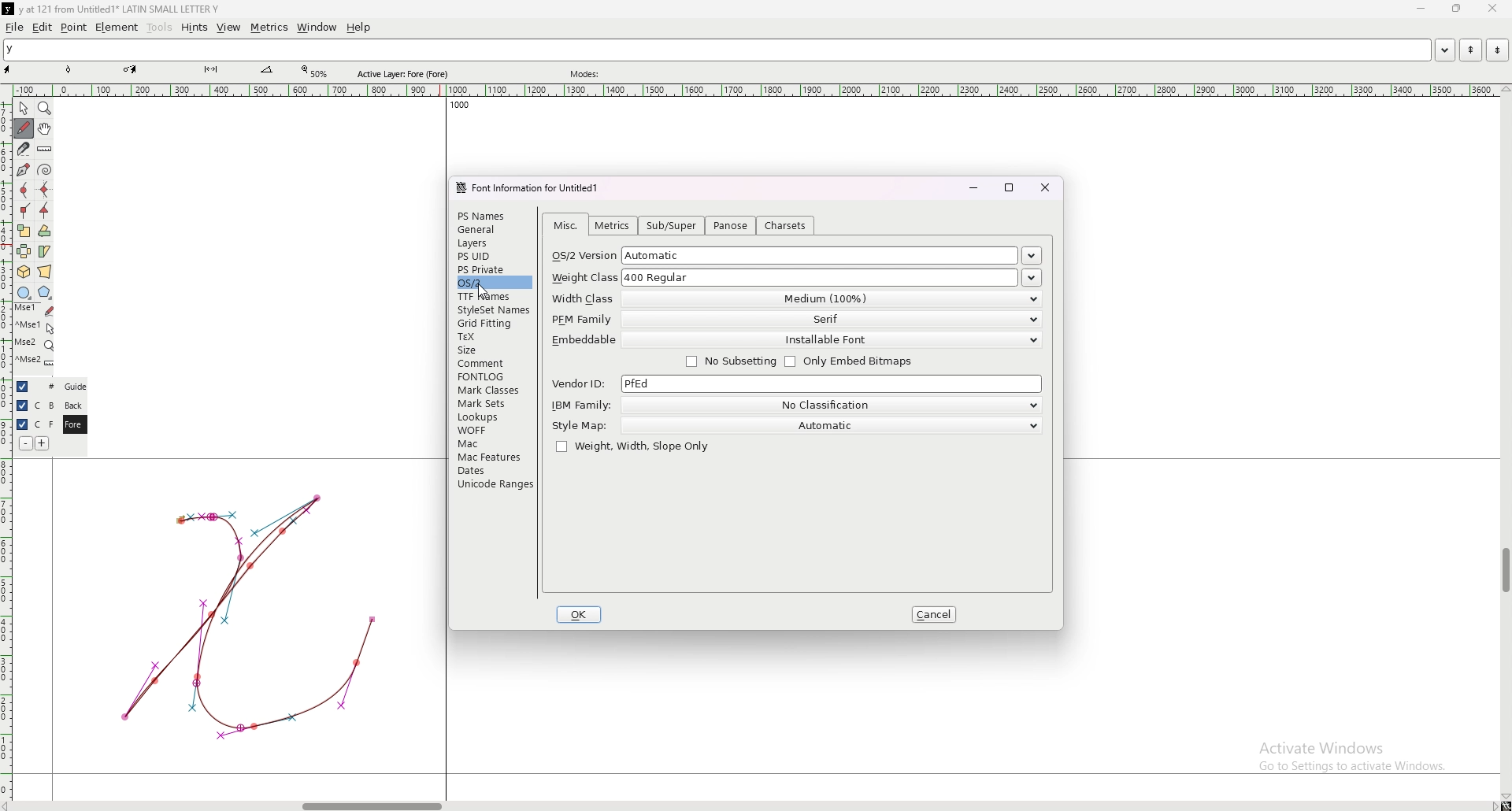 Image resolution: width=1512 pixels, height=811 pixels. Describe the element at coordinates (495, 362) in the screenshot. I see `comment` at that location.